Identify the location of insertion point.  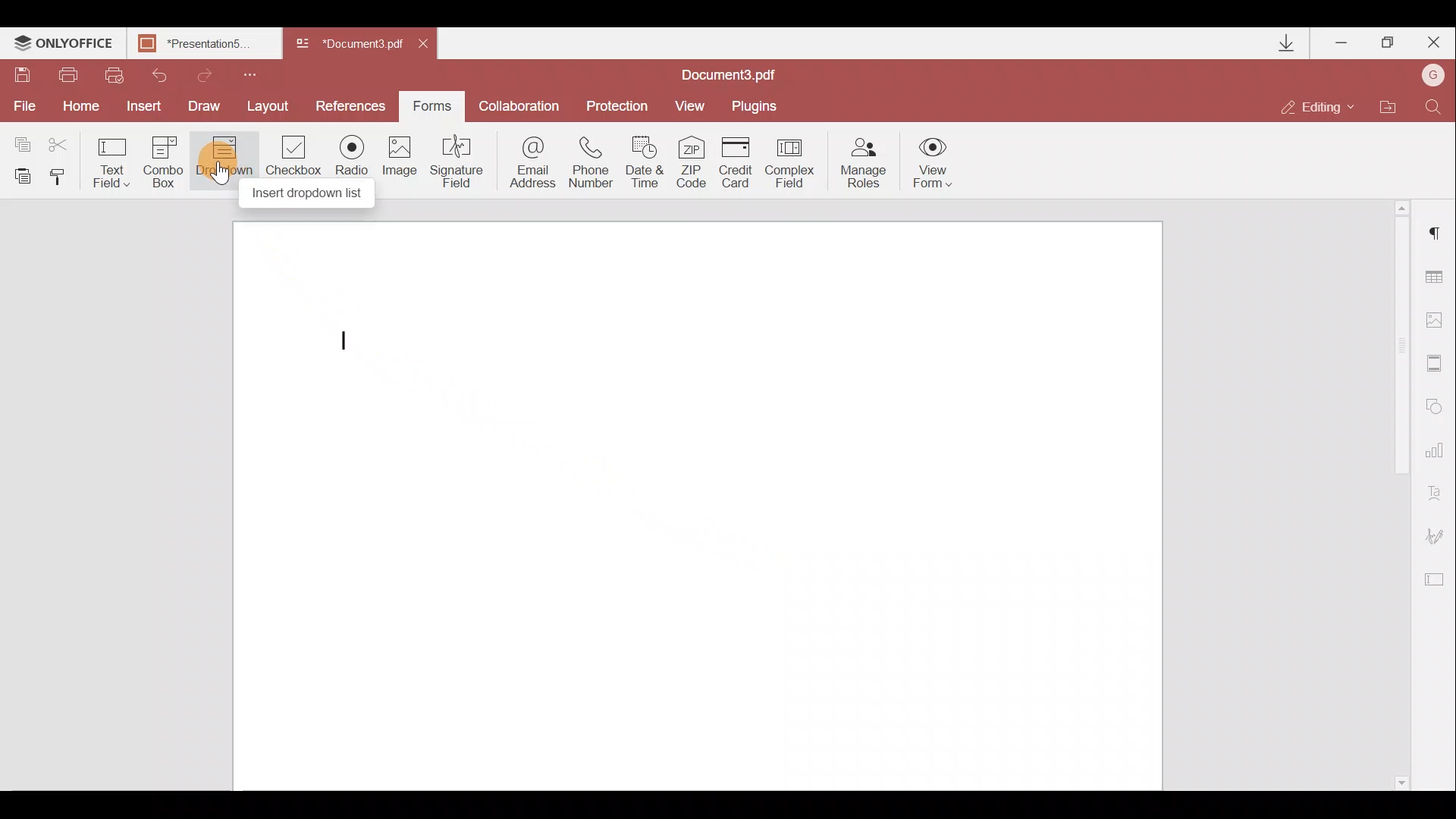
(345, 341).